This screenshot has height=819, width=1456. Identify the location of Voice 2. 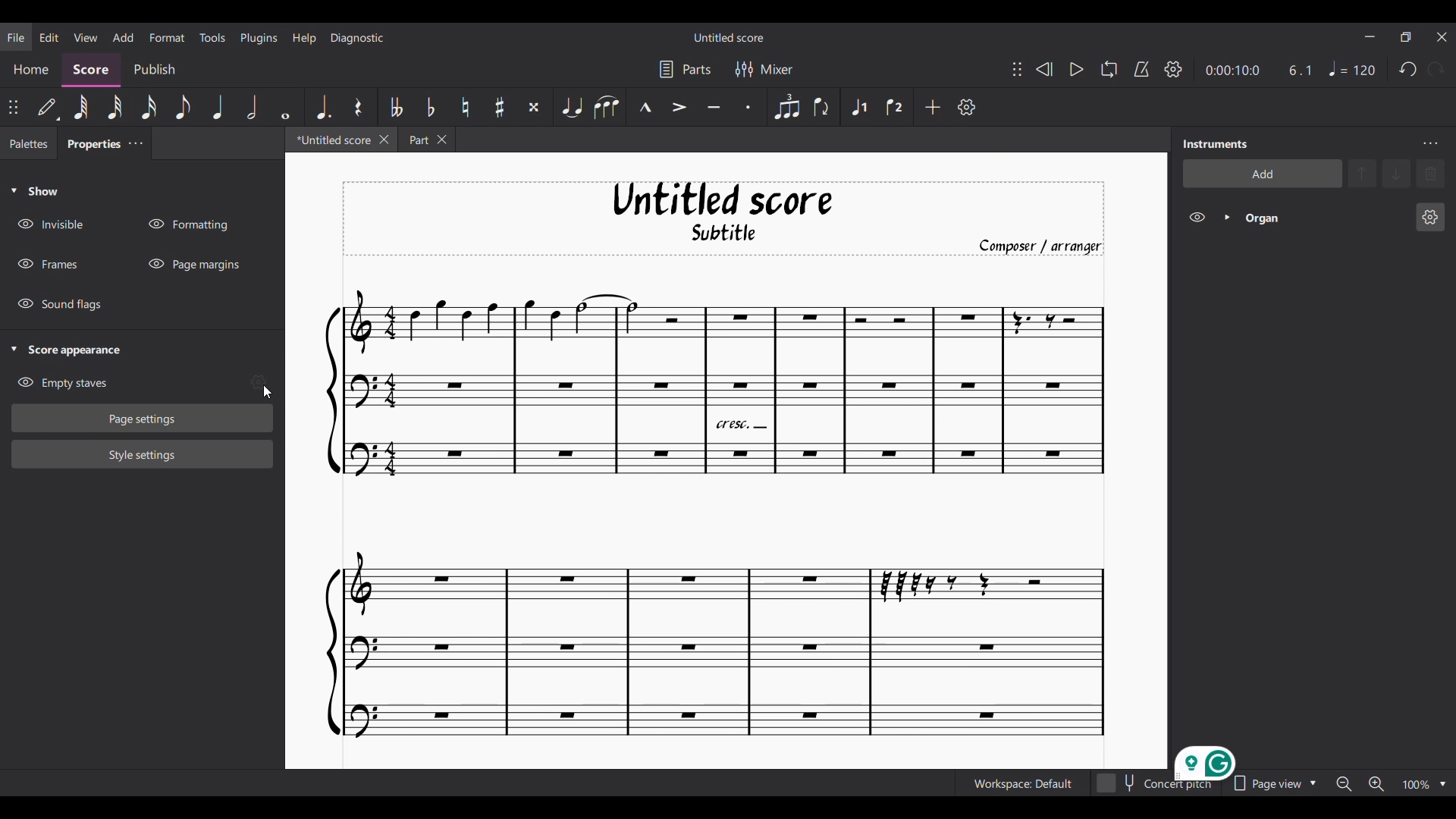
(896, 107).